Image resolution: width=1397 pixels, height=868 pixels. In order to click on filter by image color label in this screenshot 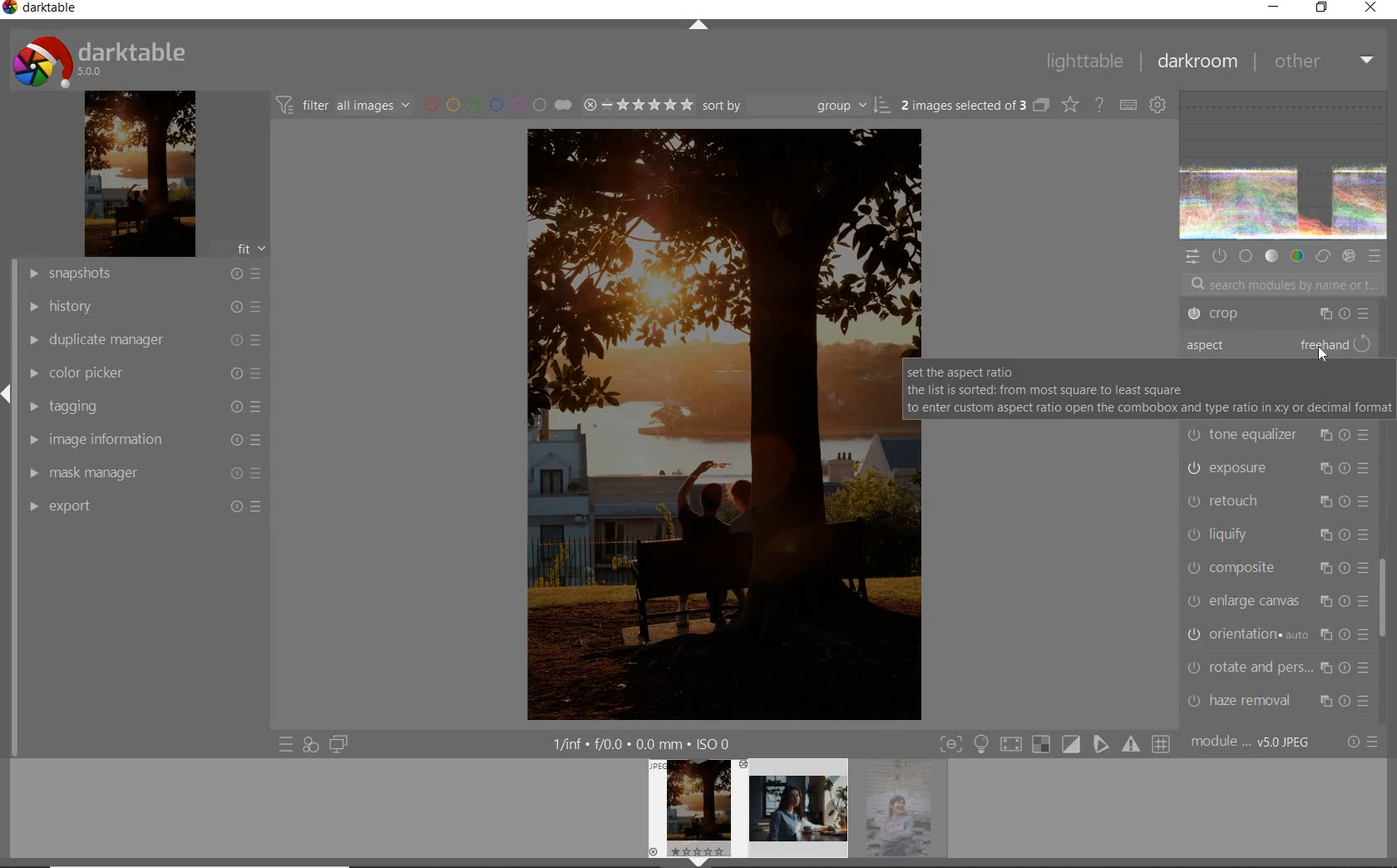, I will do `click(495, 104)`.